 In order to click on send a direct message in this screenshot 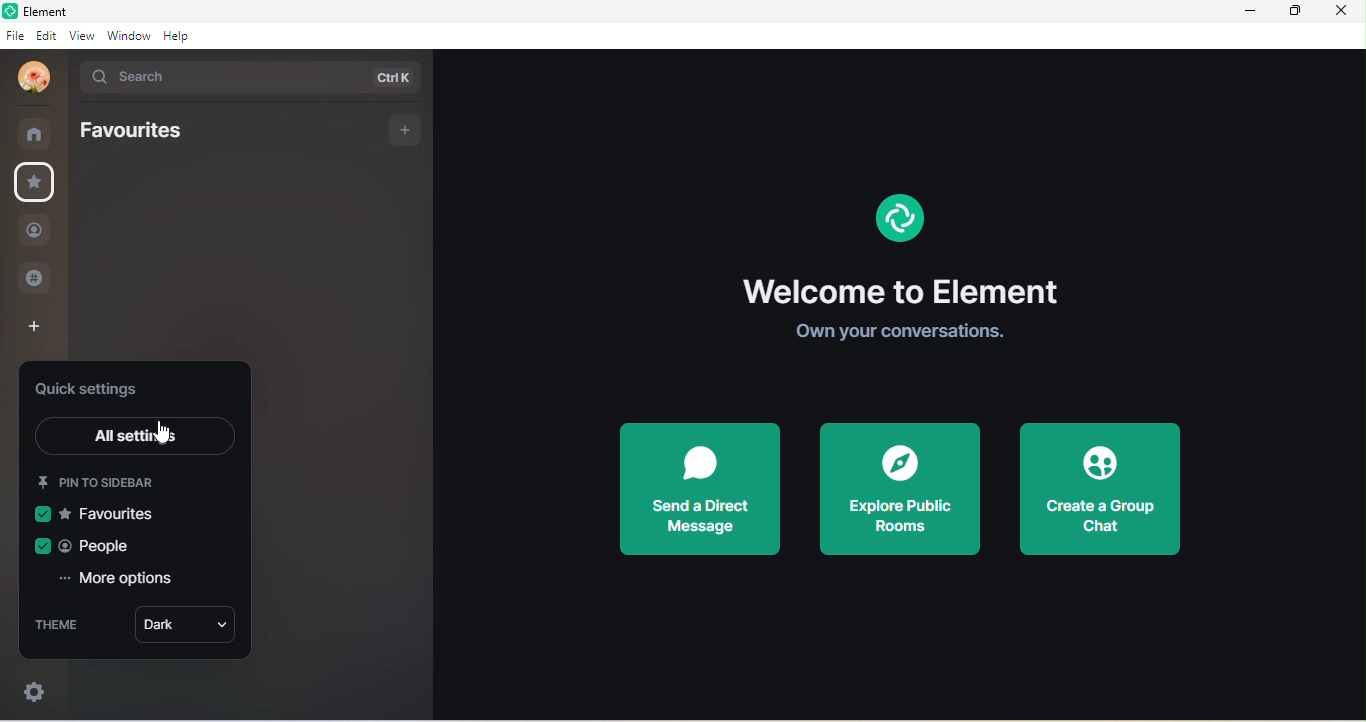, I will do `click(697, 486)`.